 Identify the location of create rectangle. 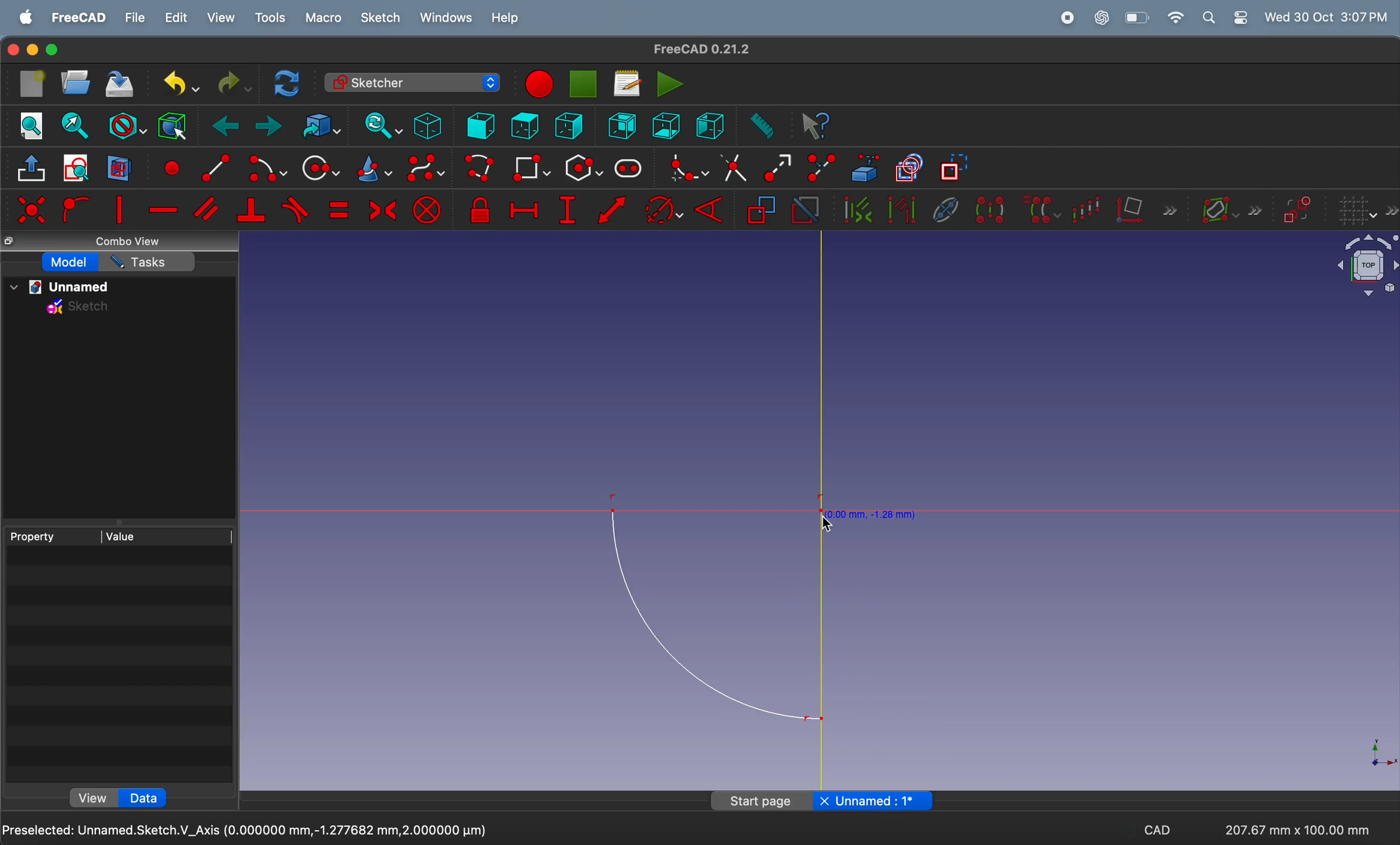
(531, 168).